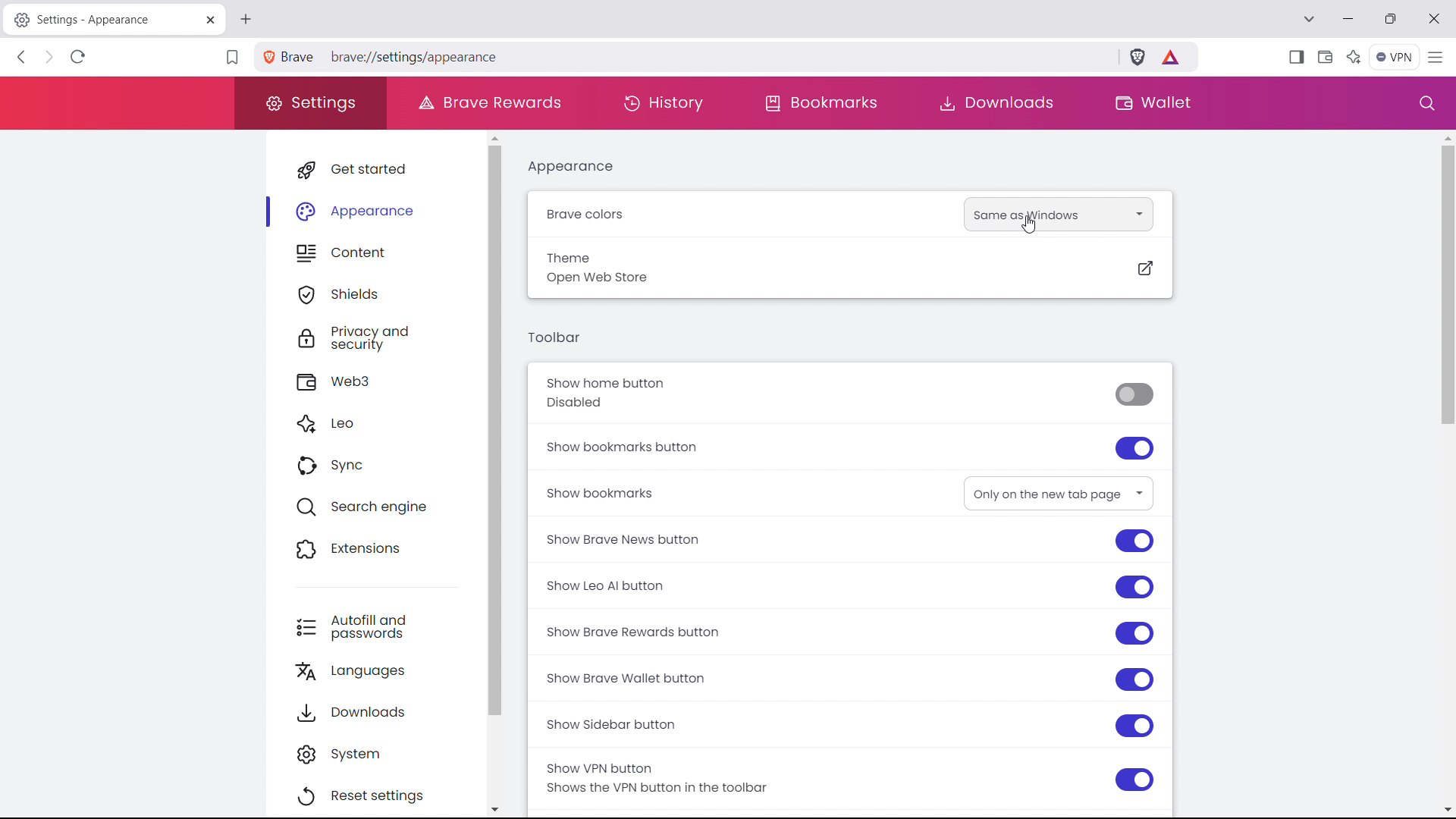 This screenshot has height=819, width=1456. Describe the element at coordinates (1058, 215) in the screenshot. I see `select brave colors` at that location.